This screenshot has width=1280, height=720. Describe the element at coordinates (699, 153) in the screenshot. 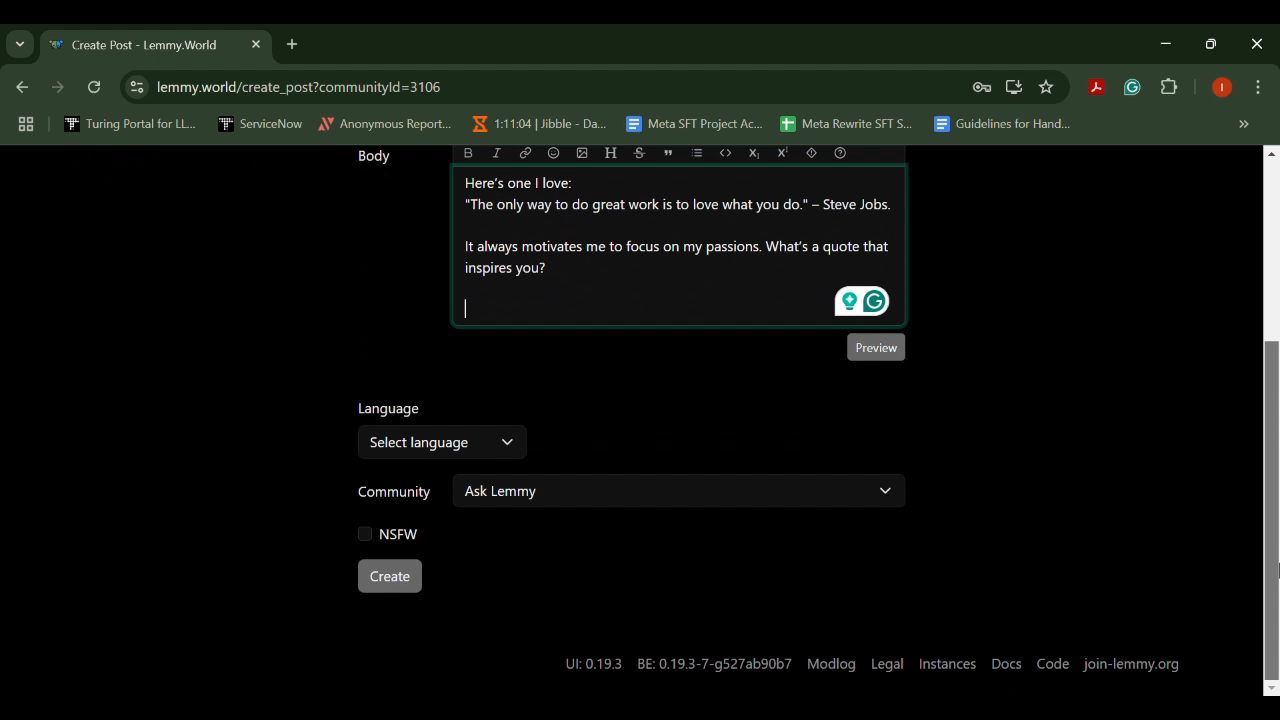

I see `list` at that location.